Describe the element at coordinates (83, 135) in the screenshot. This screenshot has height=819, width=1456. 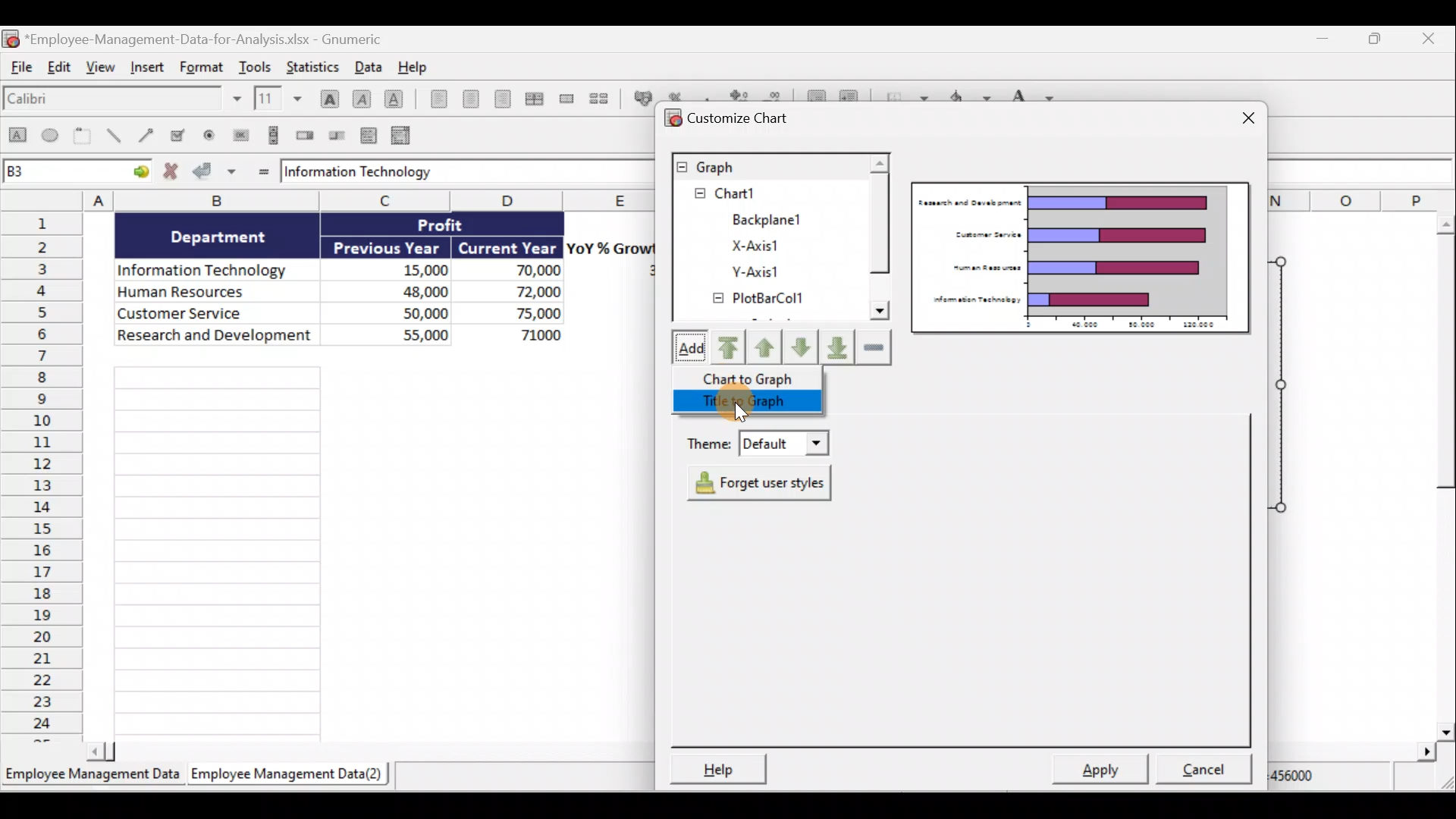
I see `Create a frame` at that location.